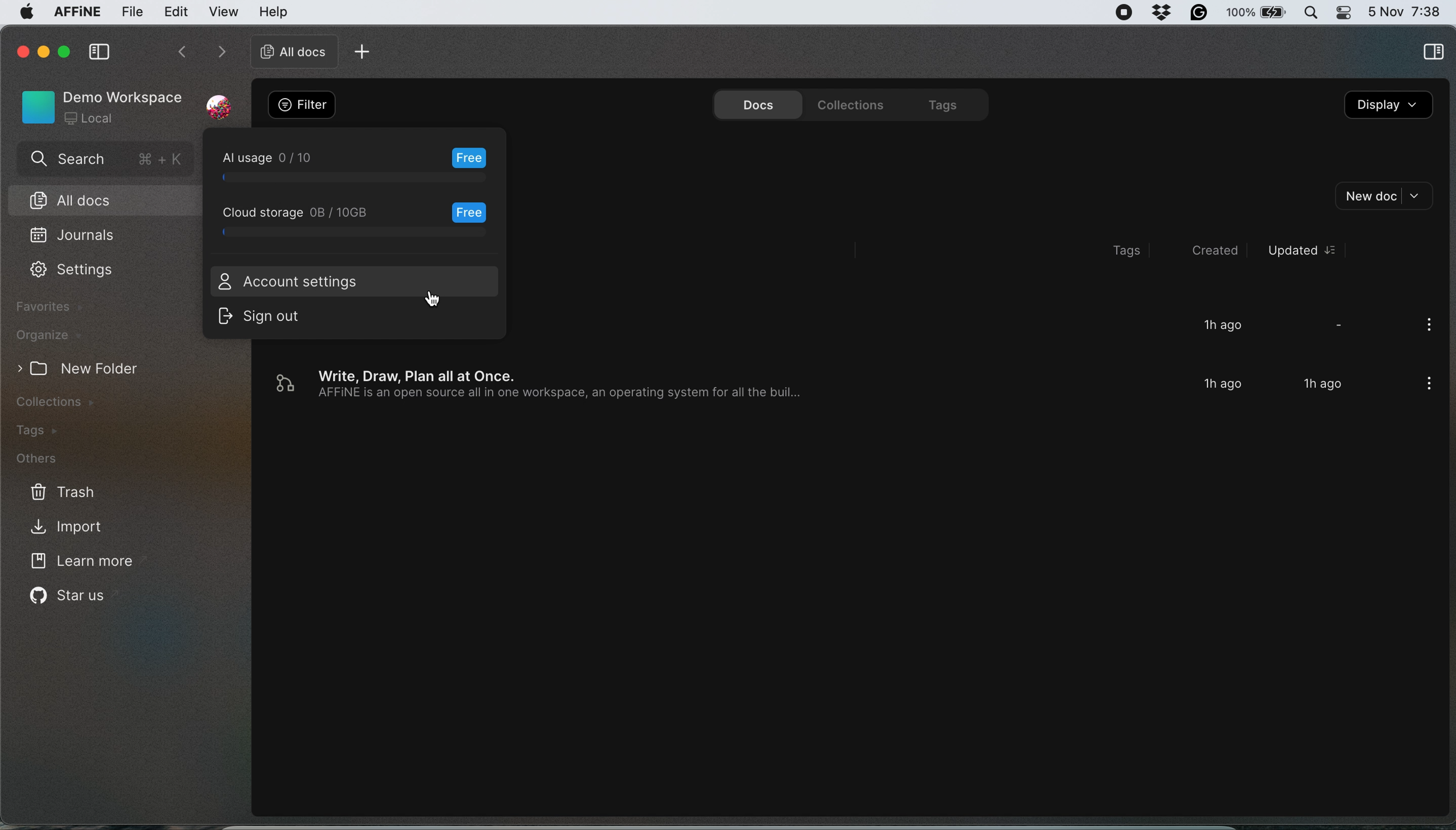  Describe the element at coordinates (60, 491) in the screenshot. I see `trash` at that location.